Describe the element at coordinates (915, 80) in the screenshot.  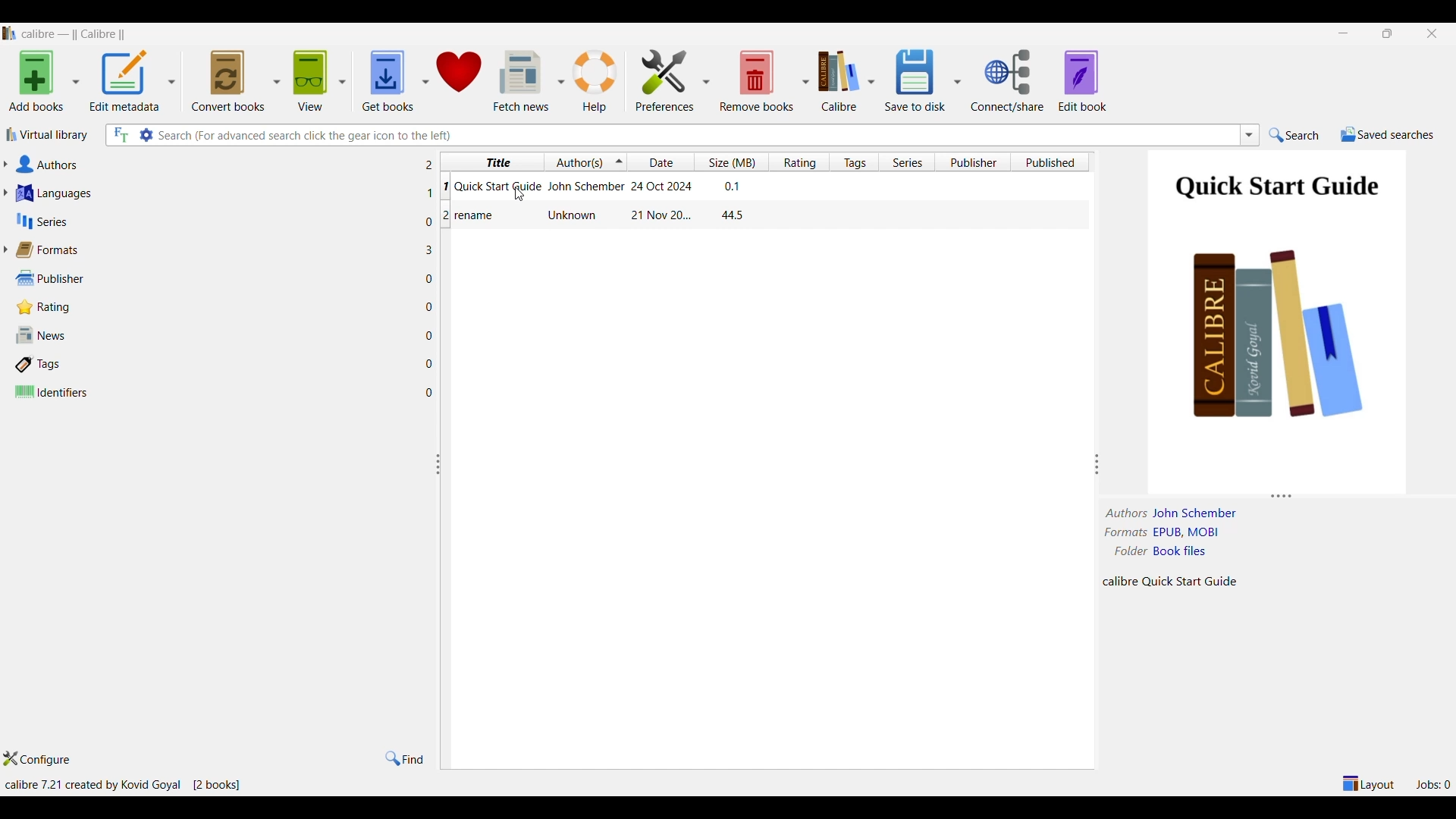
I see `Save to disk` at that location.